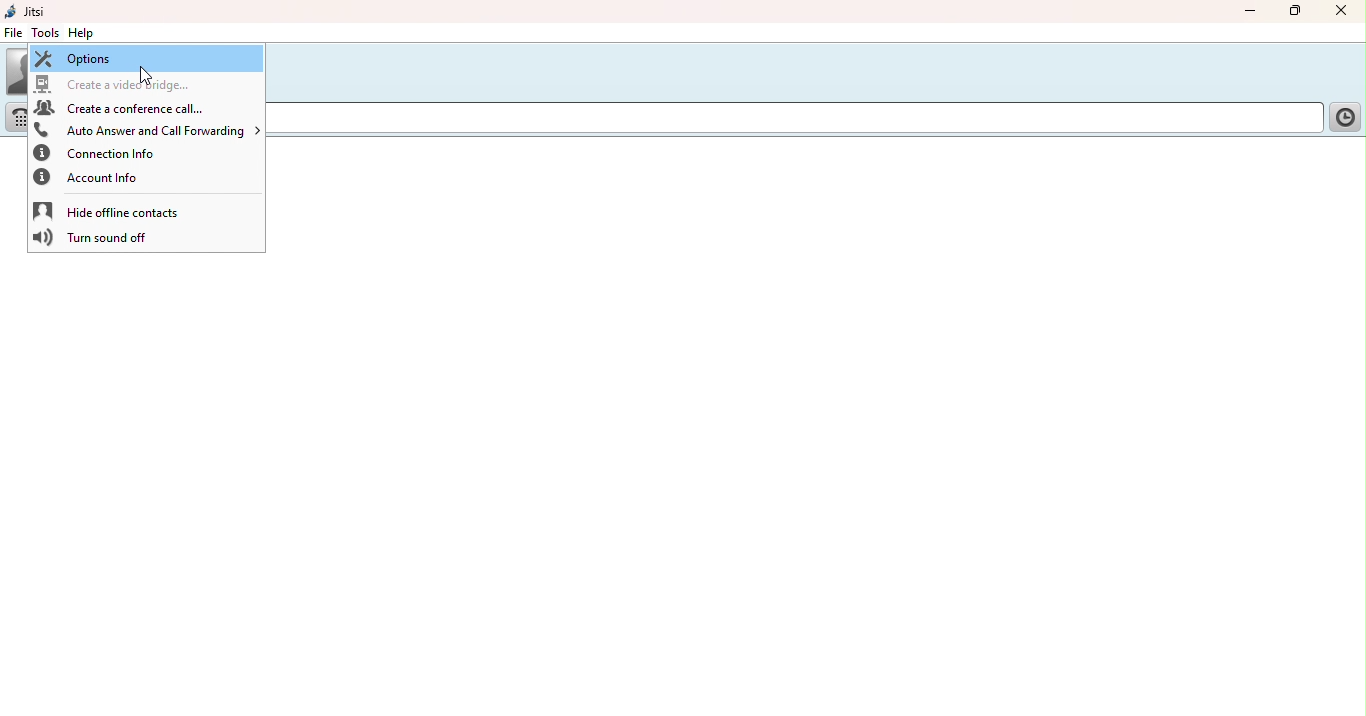  What do you see at coordinates (124, 83) in the screenshot?
I see `Create a video bridge` at bounding box center [124, 83].